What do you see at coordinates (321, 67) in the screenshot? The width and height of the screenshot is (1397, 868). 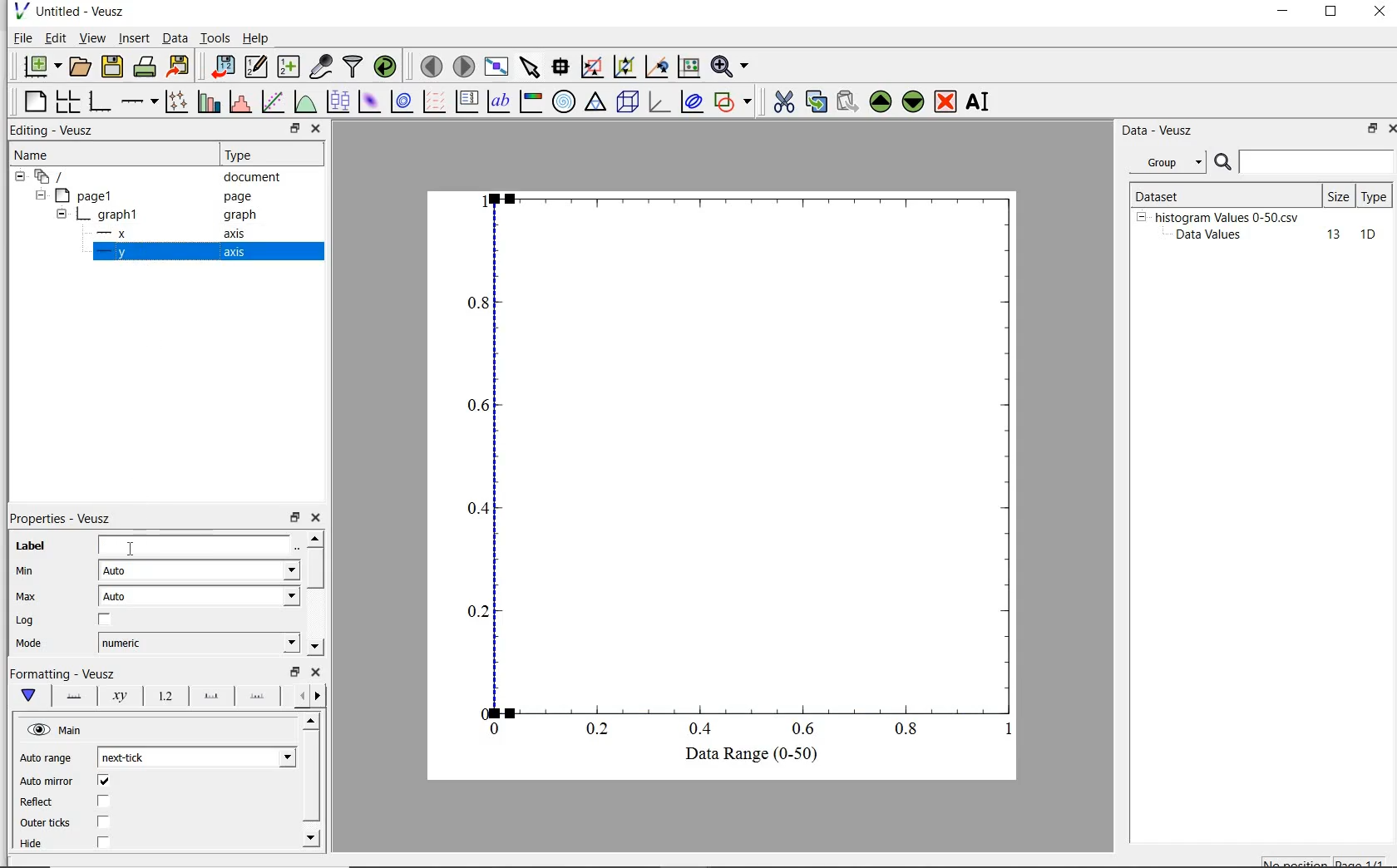 I see `capture remote data` at bounding box center [321, 67].